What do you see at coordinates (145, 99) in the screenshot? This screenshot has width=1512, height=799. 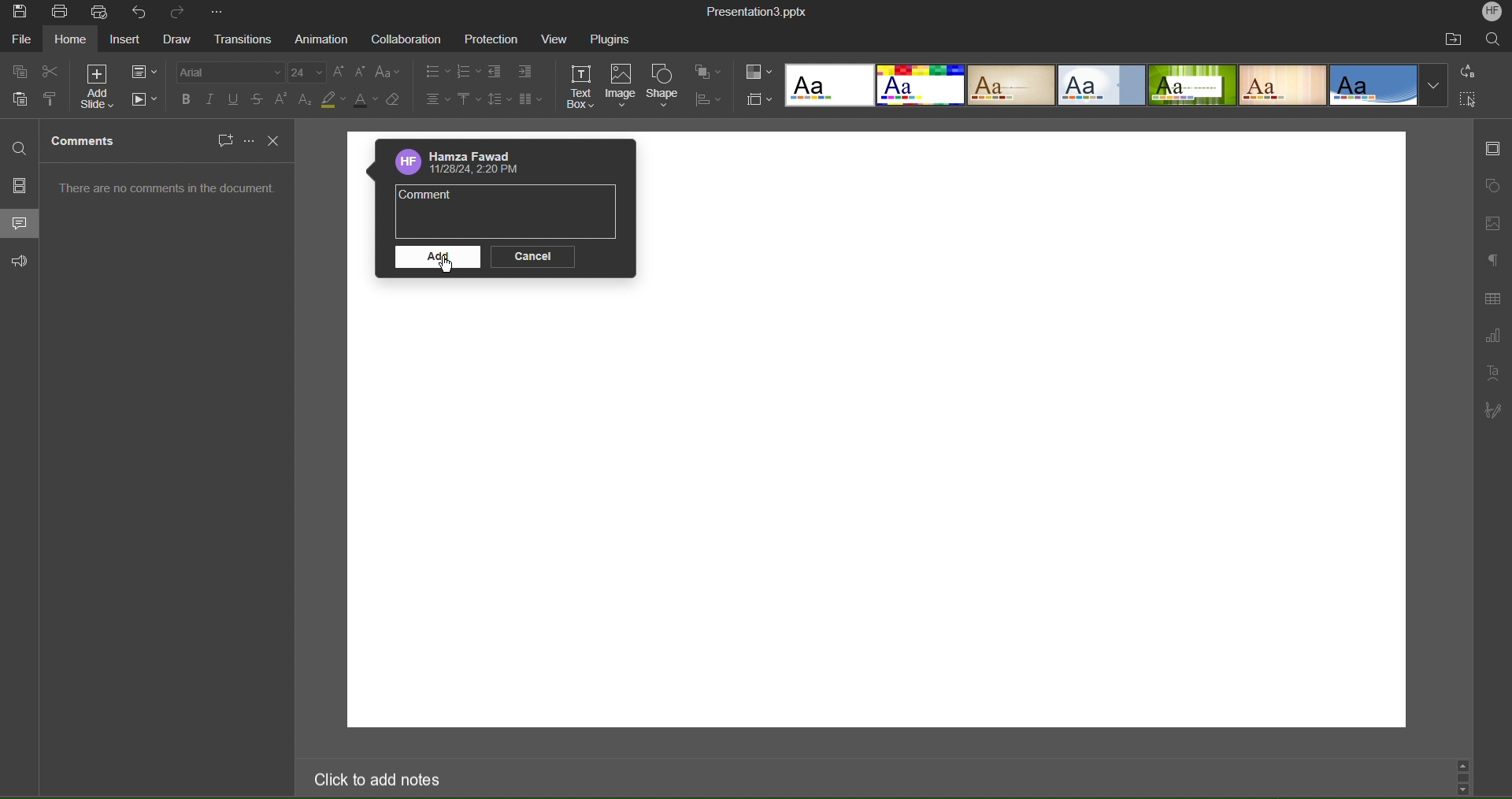 I see `Playback` at bounding box center [145, 99].